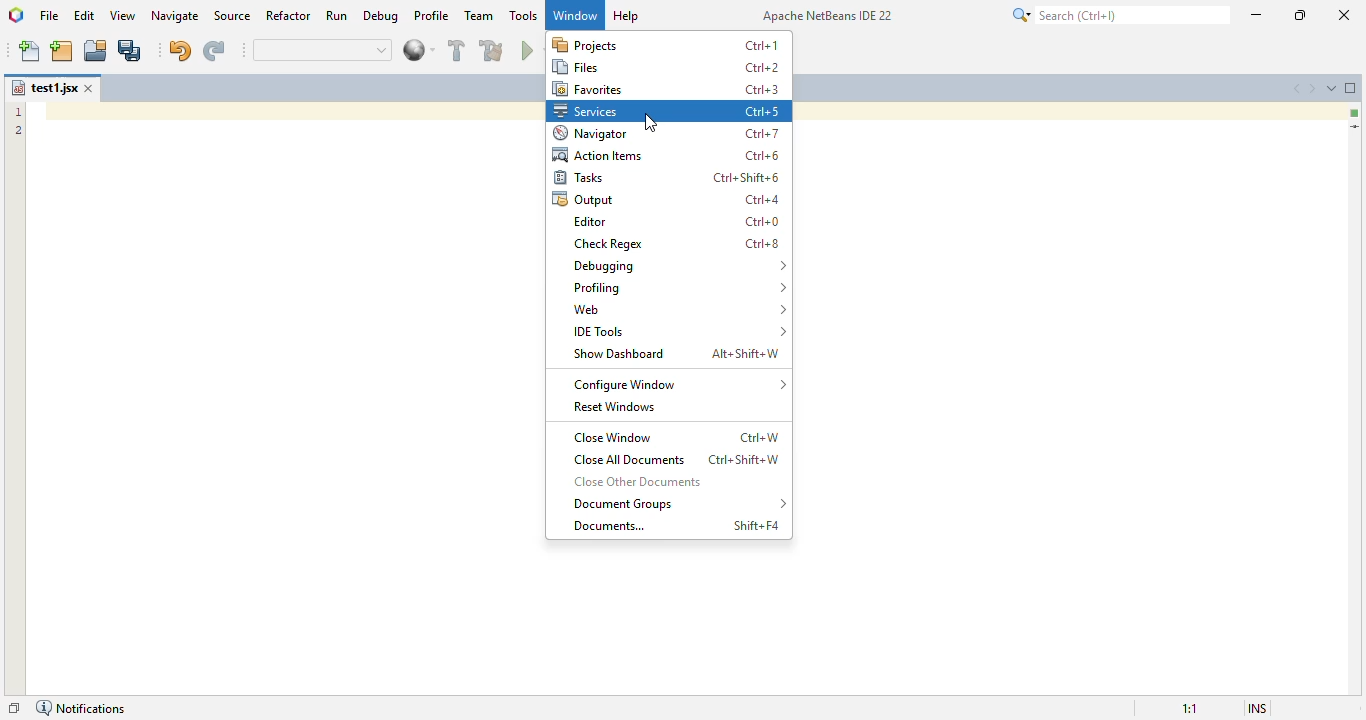 This screenshot has width=1366, height=720. What do you see at coordinates (762, 199) in the screenshot?
I see `shortcut for output` at bounding box center [762, 199].